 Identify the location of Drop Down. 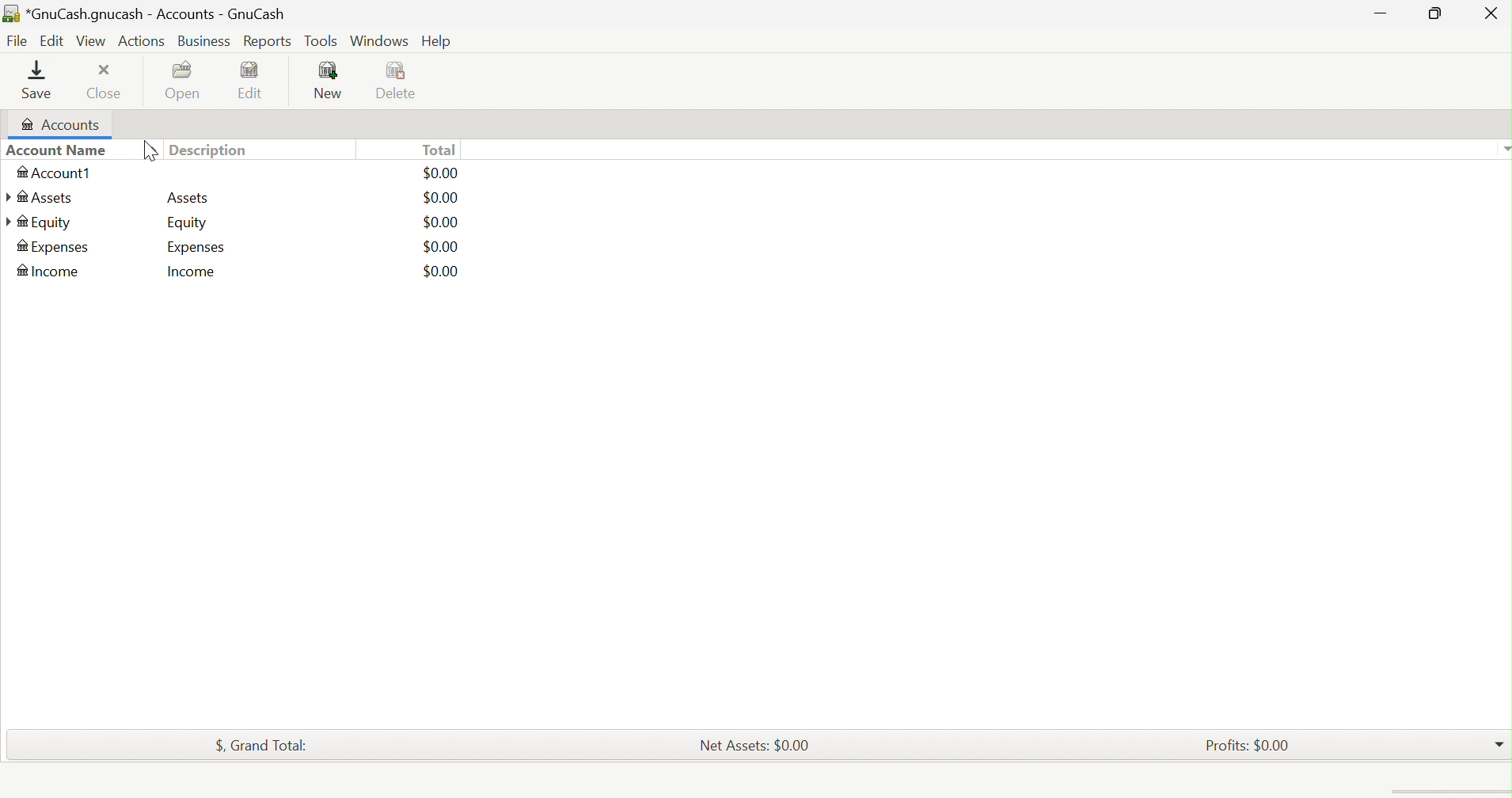
(1503, 148).